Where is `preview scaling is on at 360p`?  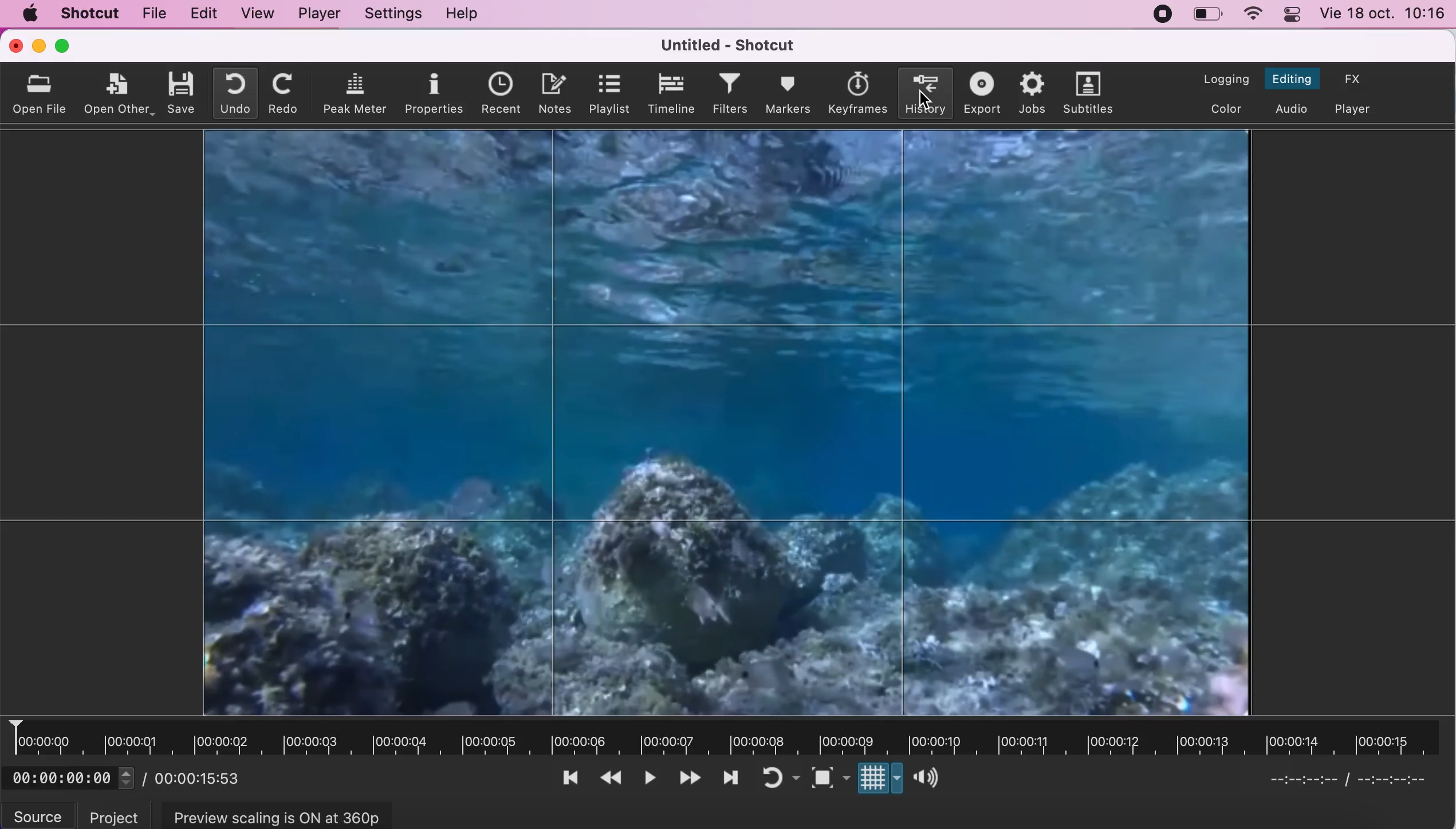
preview scaling is on at 360p is located at coordinates (282, 814).